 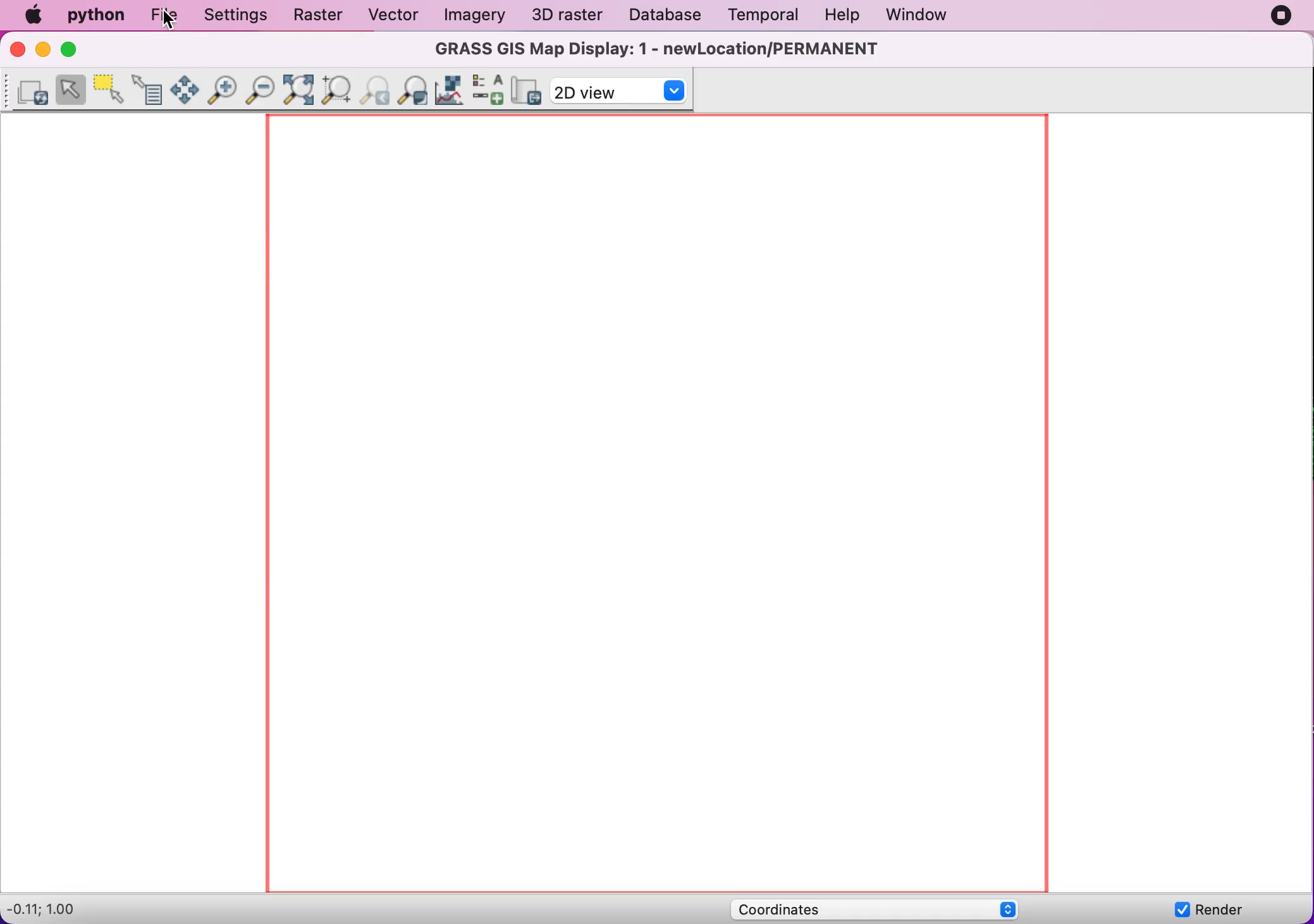 I want to click on Select features from vector map, so click(x=118, y=88).